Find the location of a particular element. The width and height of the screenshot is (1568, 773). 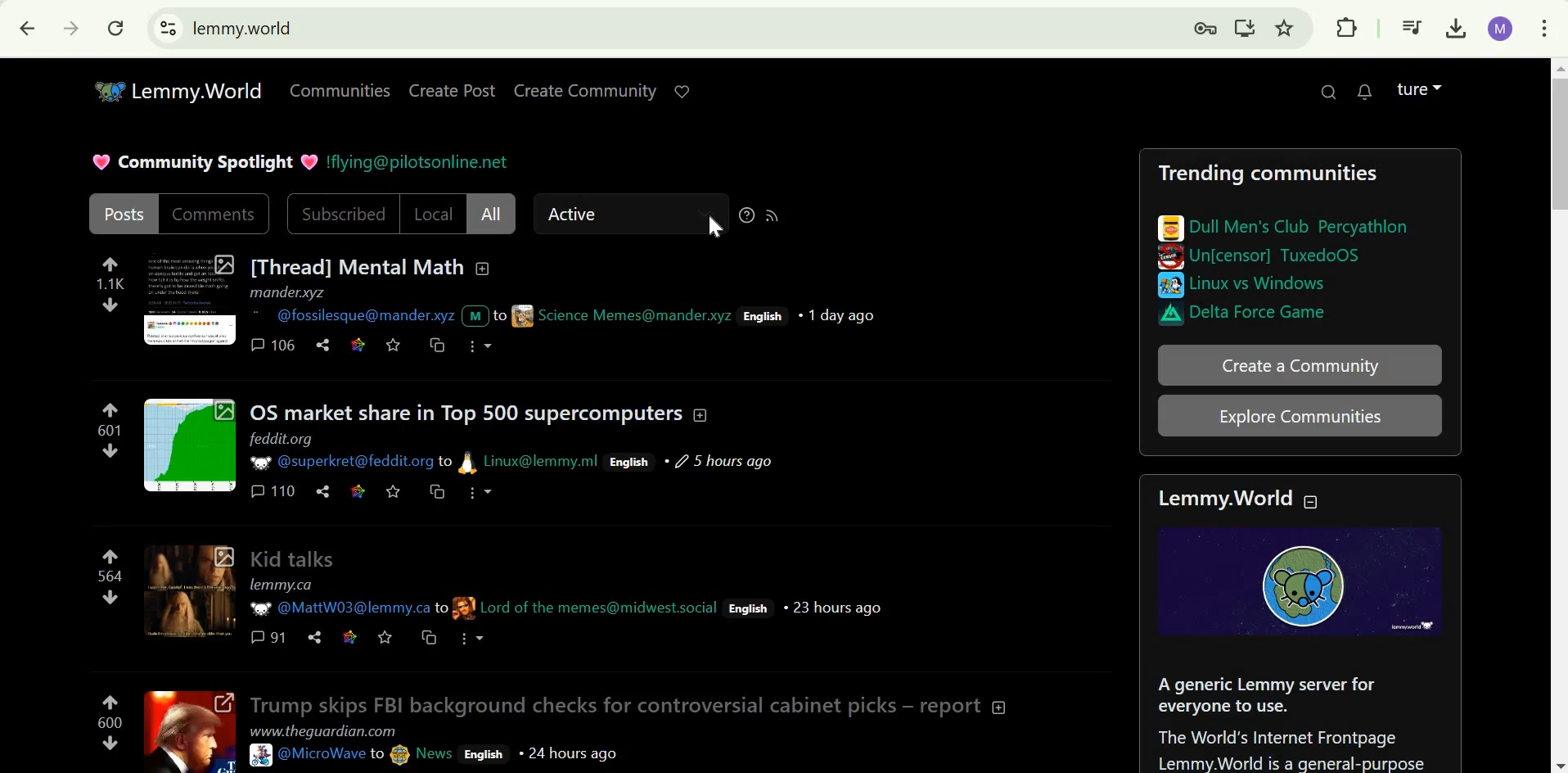

Lord of the memes@midwest.social is located at coordinates (600, 605).